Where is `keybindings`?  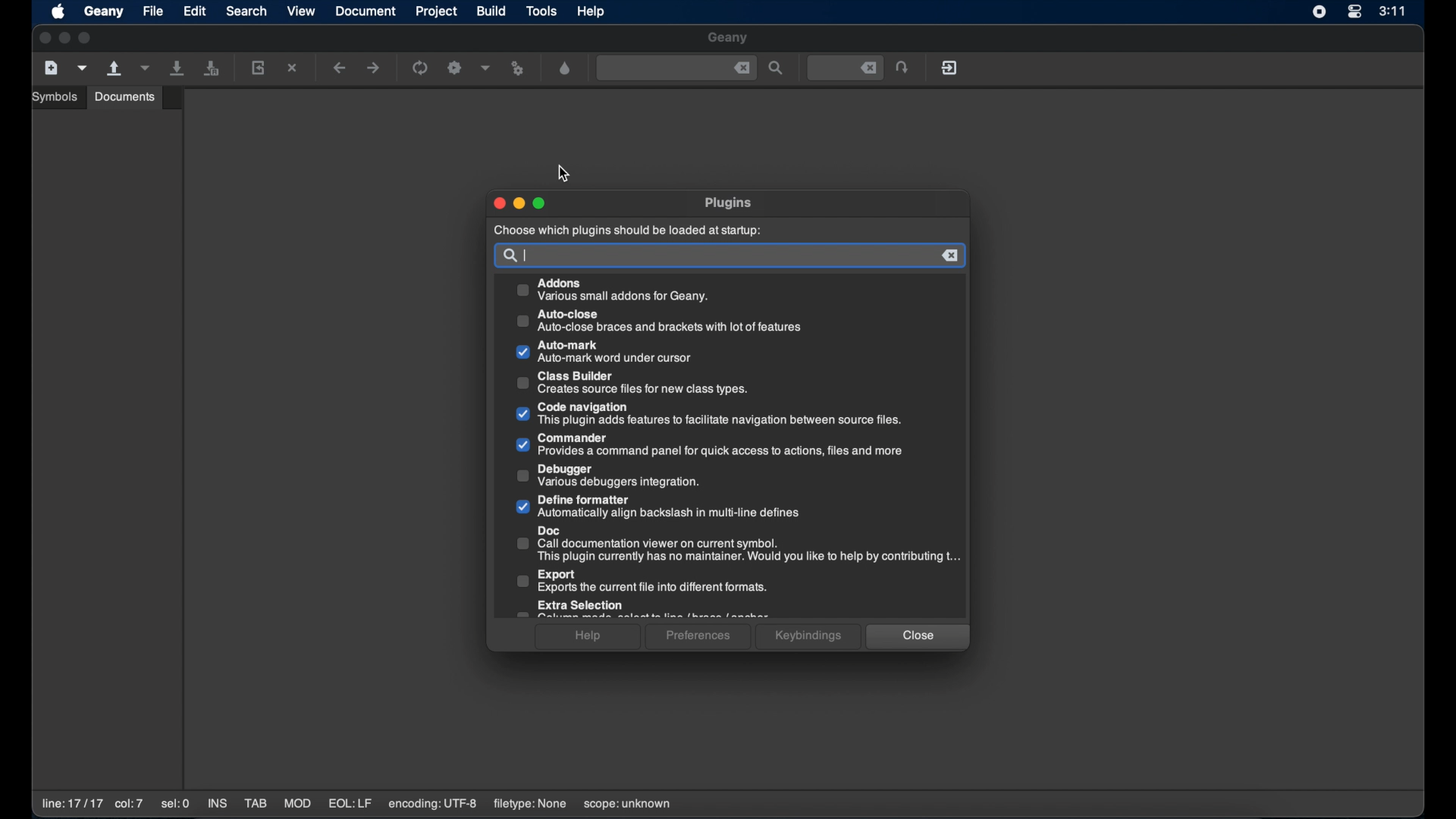 keybindings is located at coordinates (808, 636).